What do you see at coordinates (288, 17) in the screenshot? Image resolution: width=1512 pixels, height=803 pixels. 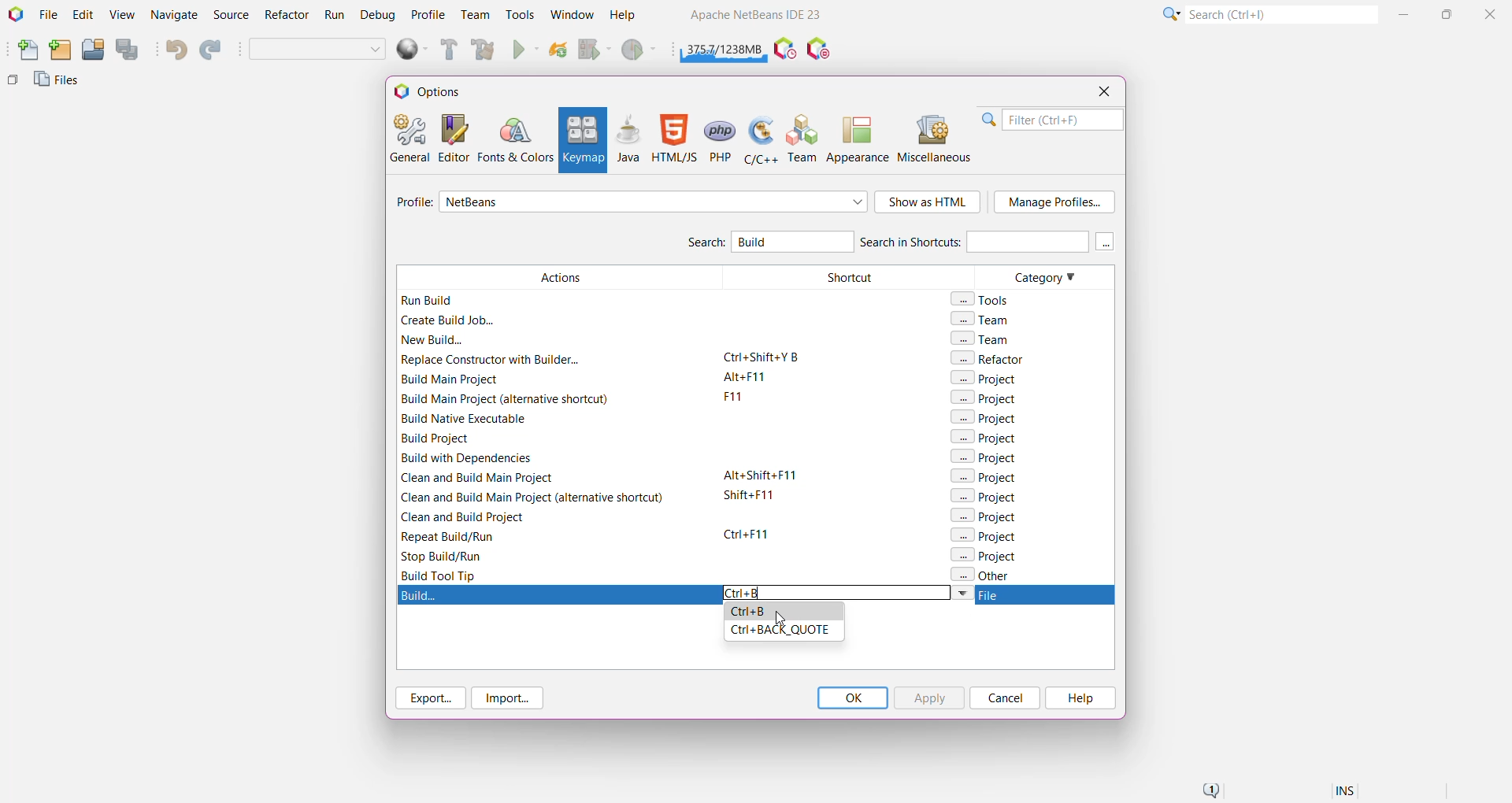 I see `Refactor` at bounding box center [288, 17].